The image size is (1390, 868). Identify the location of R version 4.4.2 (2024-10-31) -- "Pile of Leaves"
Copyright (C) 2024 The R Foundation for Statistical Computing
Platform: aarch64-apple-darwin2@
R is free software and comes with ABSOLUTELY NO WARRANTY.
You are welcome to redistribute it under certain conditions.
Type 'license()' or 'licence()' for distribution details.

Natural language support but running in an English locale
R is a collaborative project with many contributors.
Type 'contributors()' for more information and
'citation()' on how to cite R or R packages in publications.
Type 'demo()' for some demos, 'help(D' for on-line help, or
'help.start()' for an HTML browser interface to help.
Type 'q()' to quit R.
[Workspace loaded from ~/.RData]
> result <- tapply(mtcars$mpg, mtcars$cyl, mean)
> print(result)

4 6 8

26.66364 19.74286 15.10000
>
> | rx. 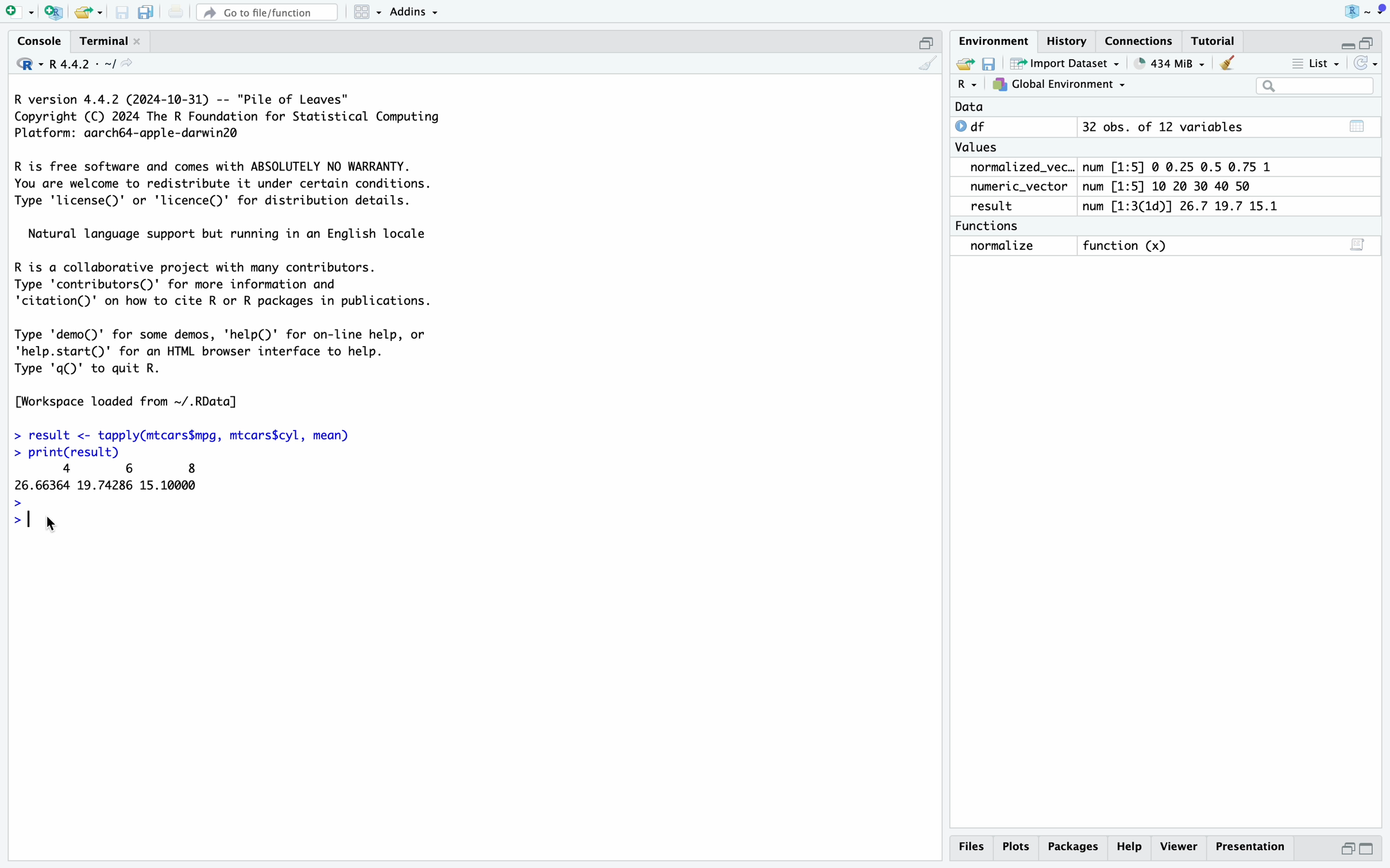
(476, 468).